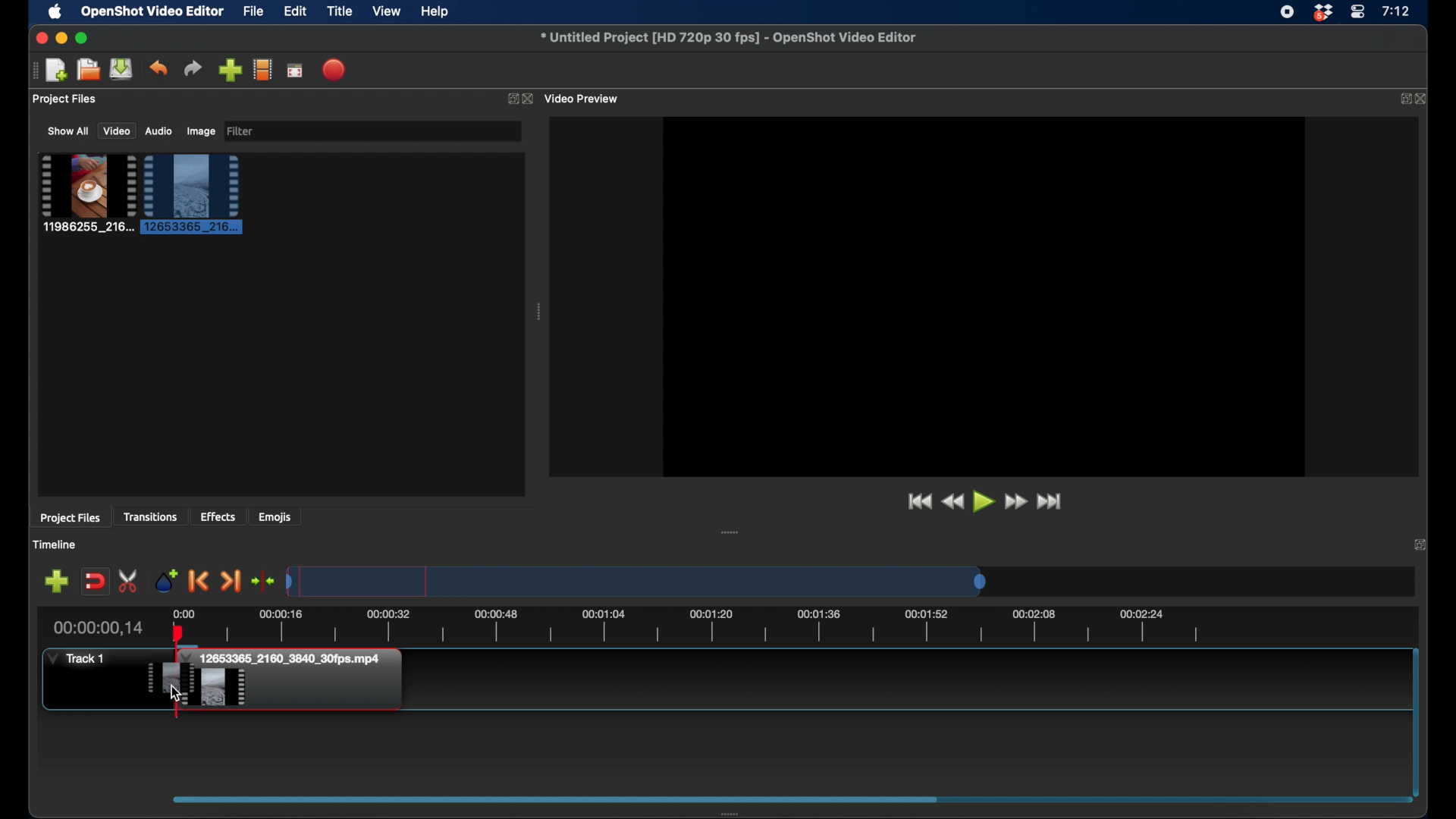 This screenshot has width=1456, height=819. What do you see at coordinates (129, 580) in the screenshot?
I see `enable razor` at bounding box center [129, 580].